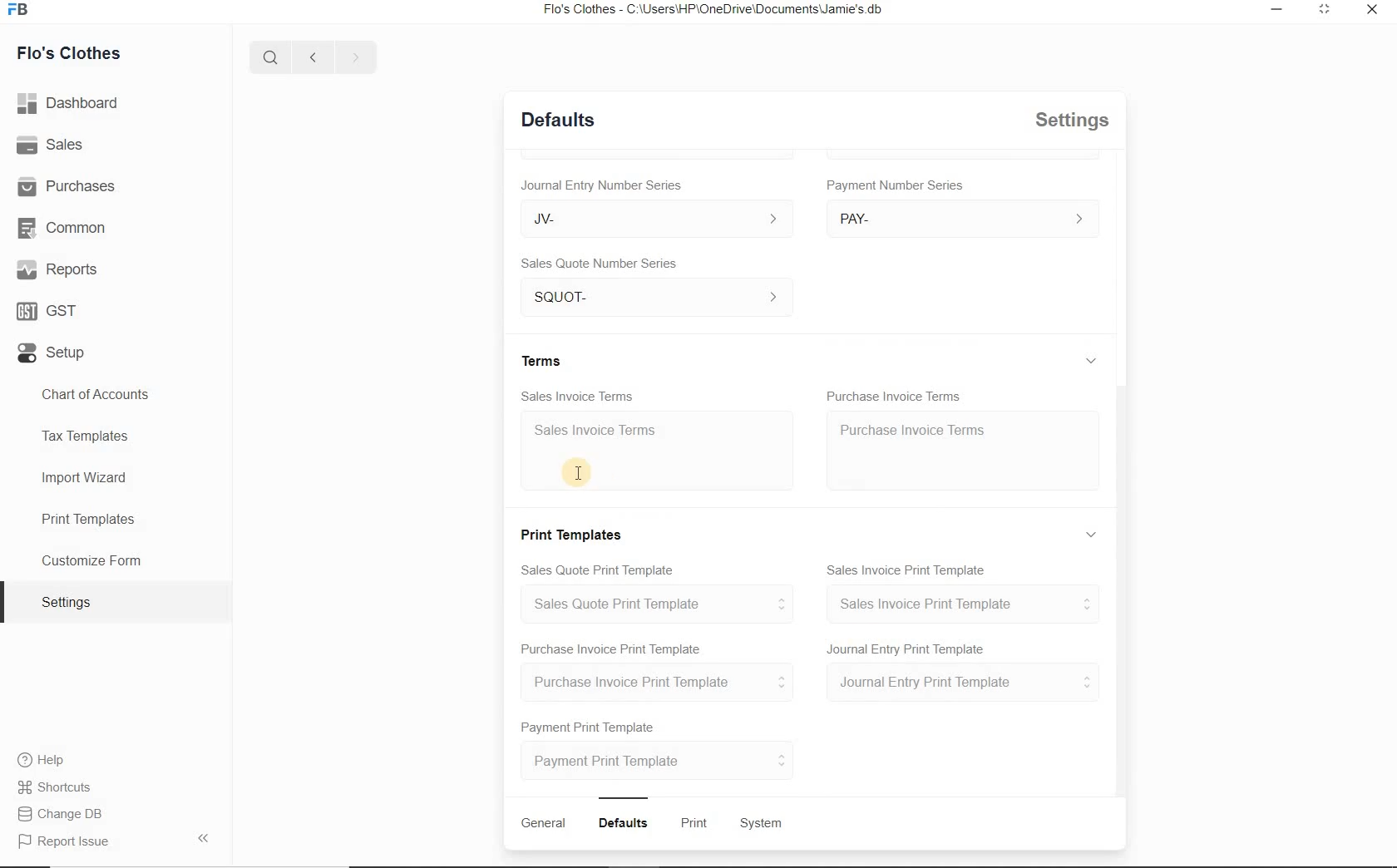 This screenshot has height=868, width=1397. I want to click on Sales Invoice Print Template, so click(906, 570).